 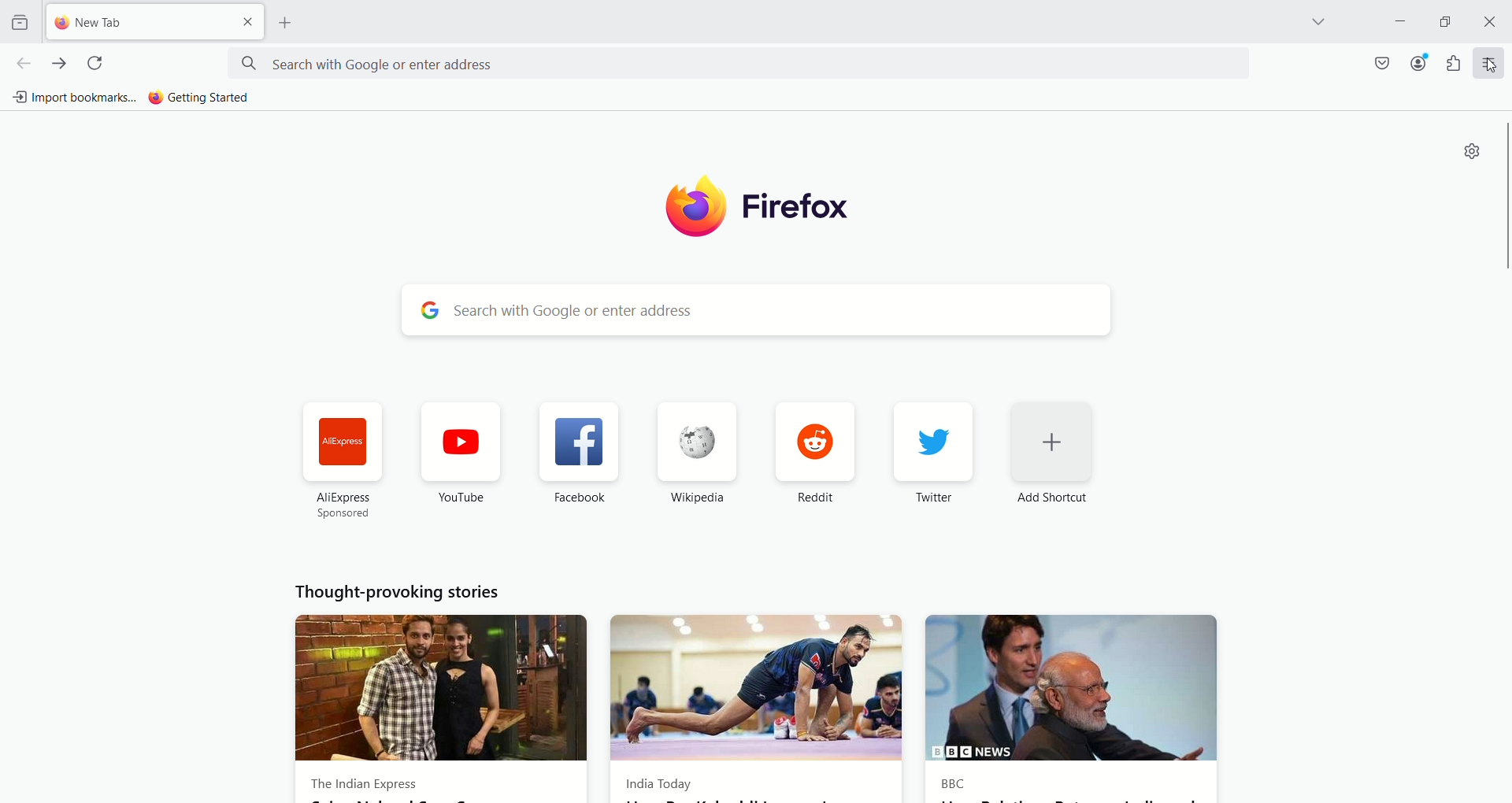 I want to click on search, so click(x=739, y=64).